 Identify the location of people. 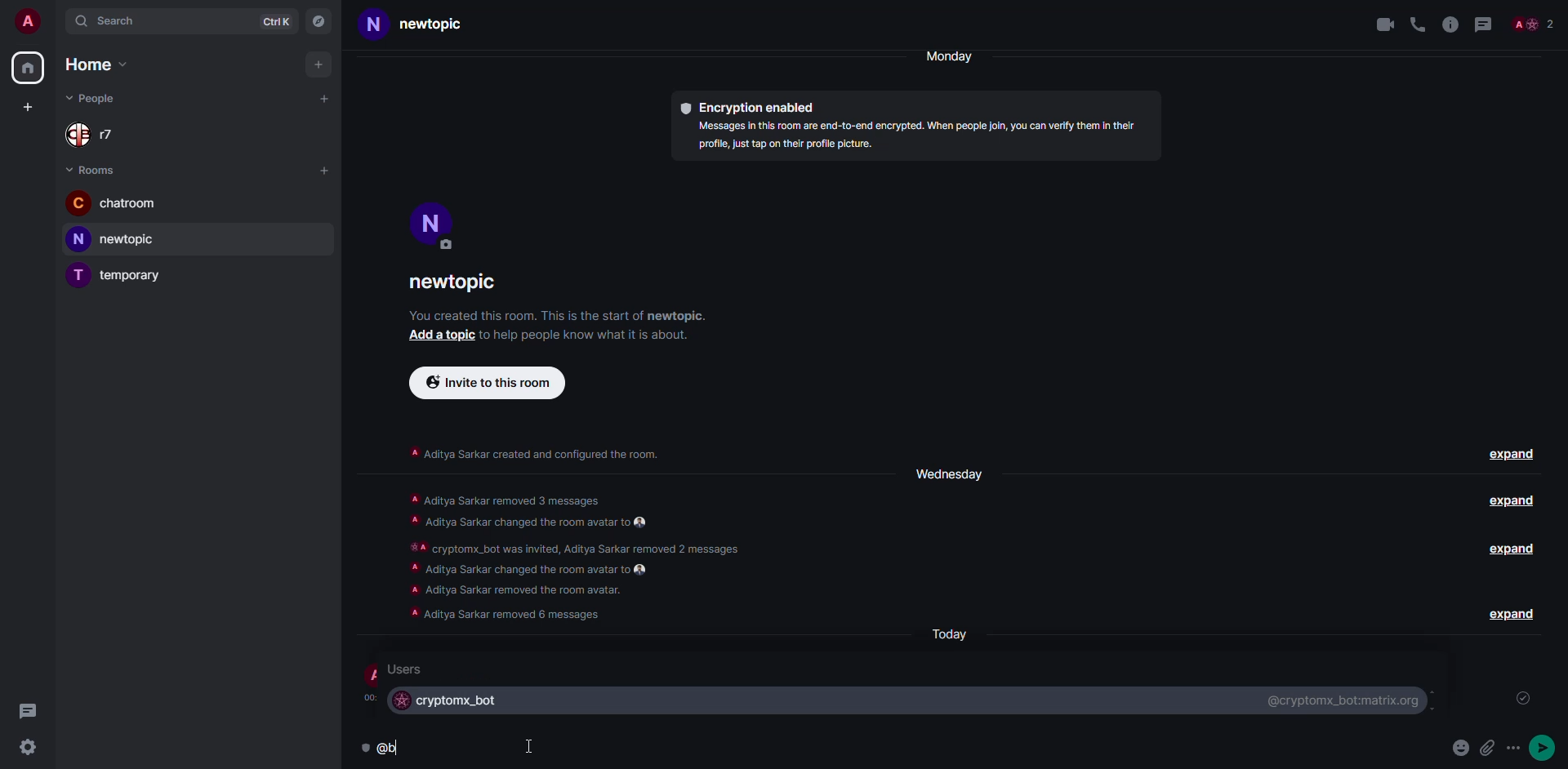
(96, 96).